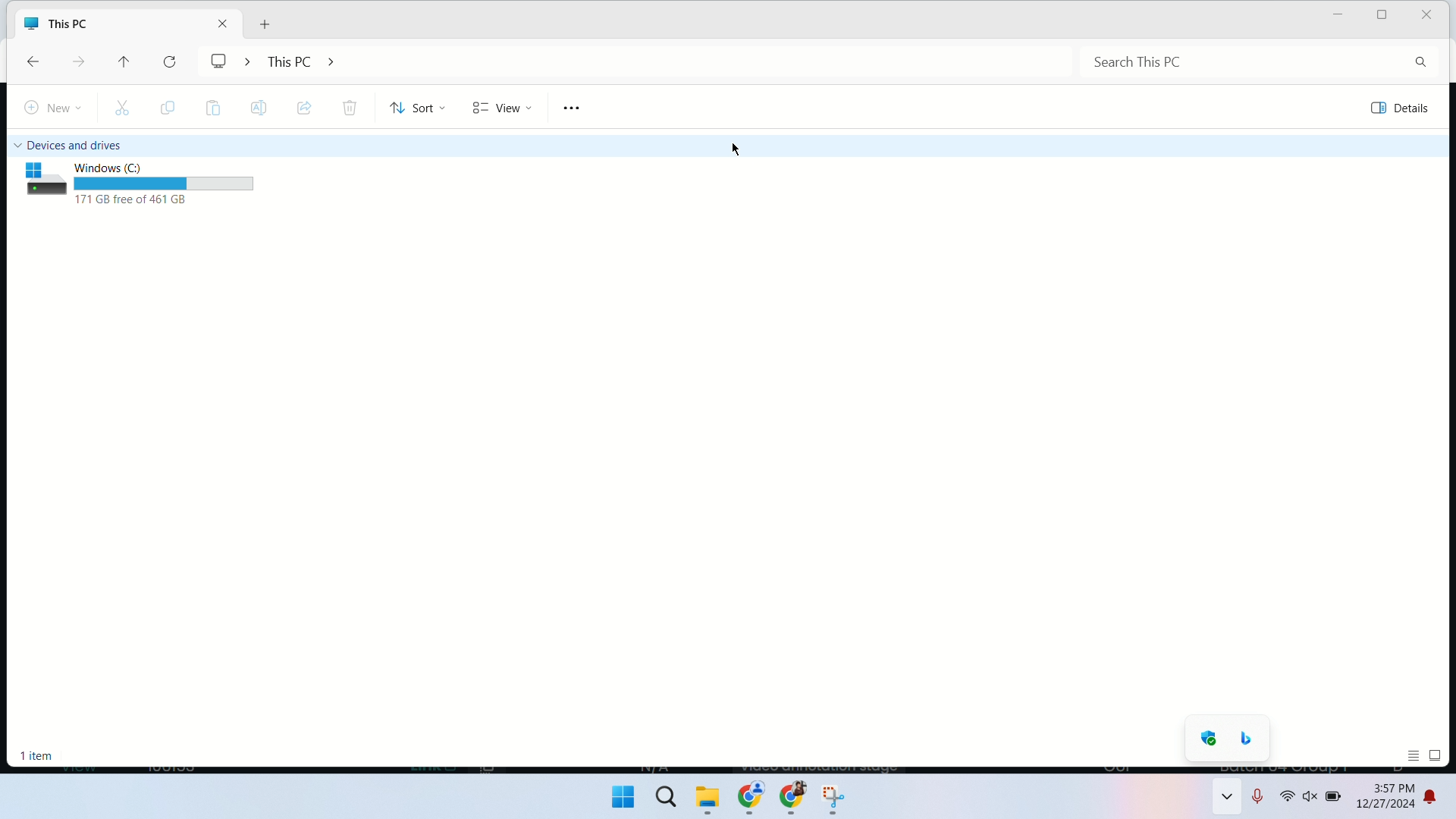  What do you see at coordinates (86, 26) in the screenshot?
I see `This PC` at bounding box center [86, 26].